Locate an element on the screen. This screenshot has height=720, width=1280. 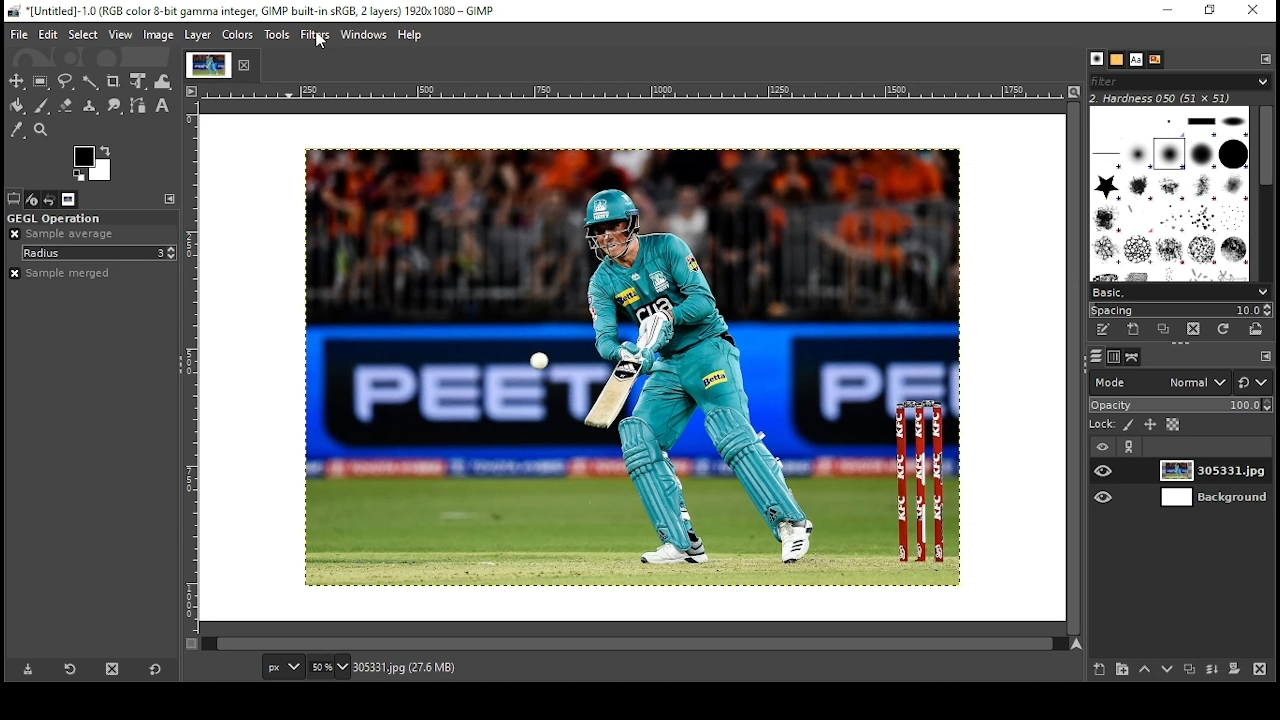
layers is located at coordinates (1097, 357).